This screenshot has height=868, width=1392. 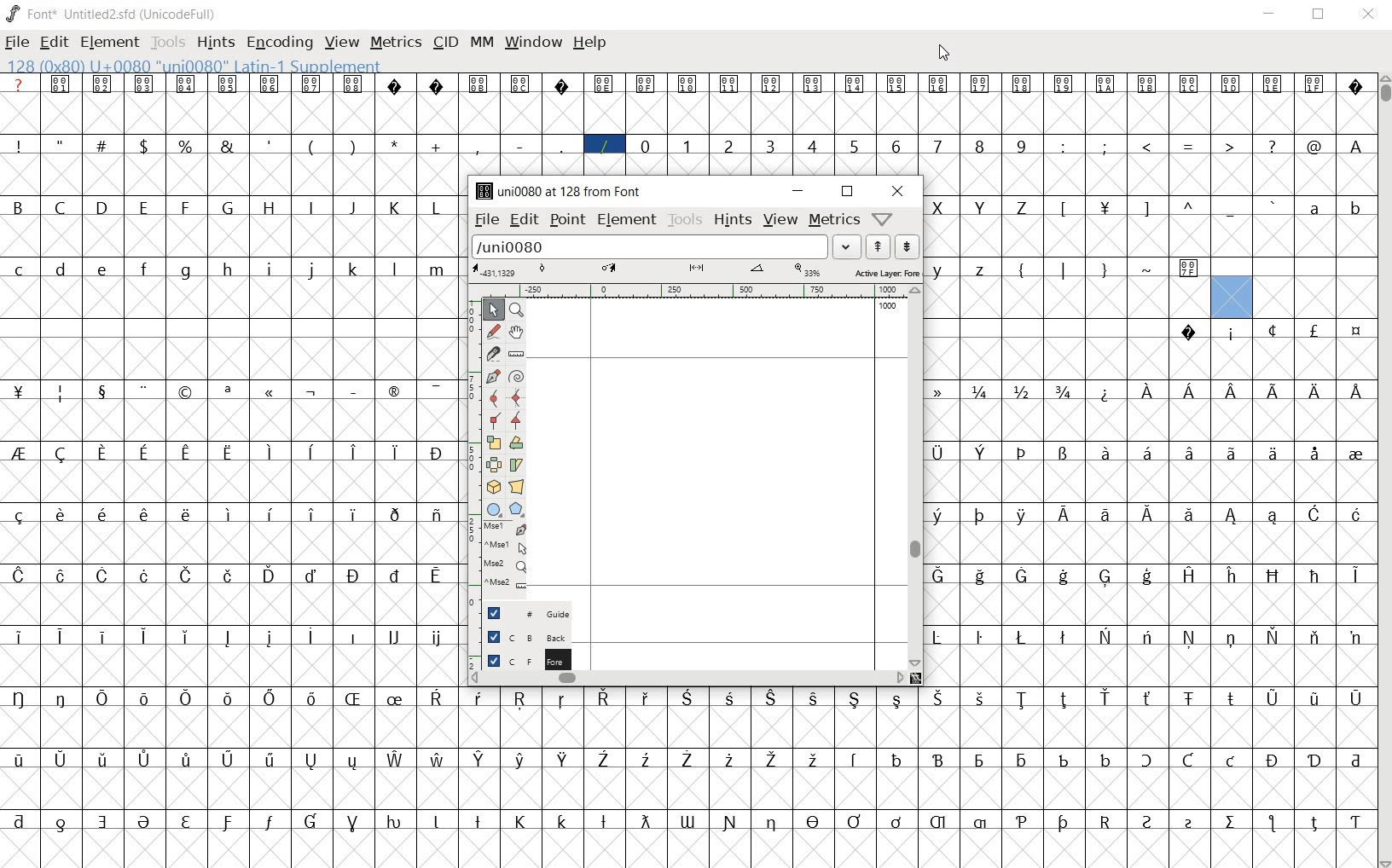 What do you see at coordinates (937, 208) in the screenshot?
I see `glyph` at bounding box center [937, 208].